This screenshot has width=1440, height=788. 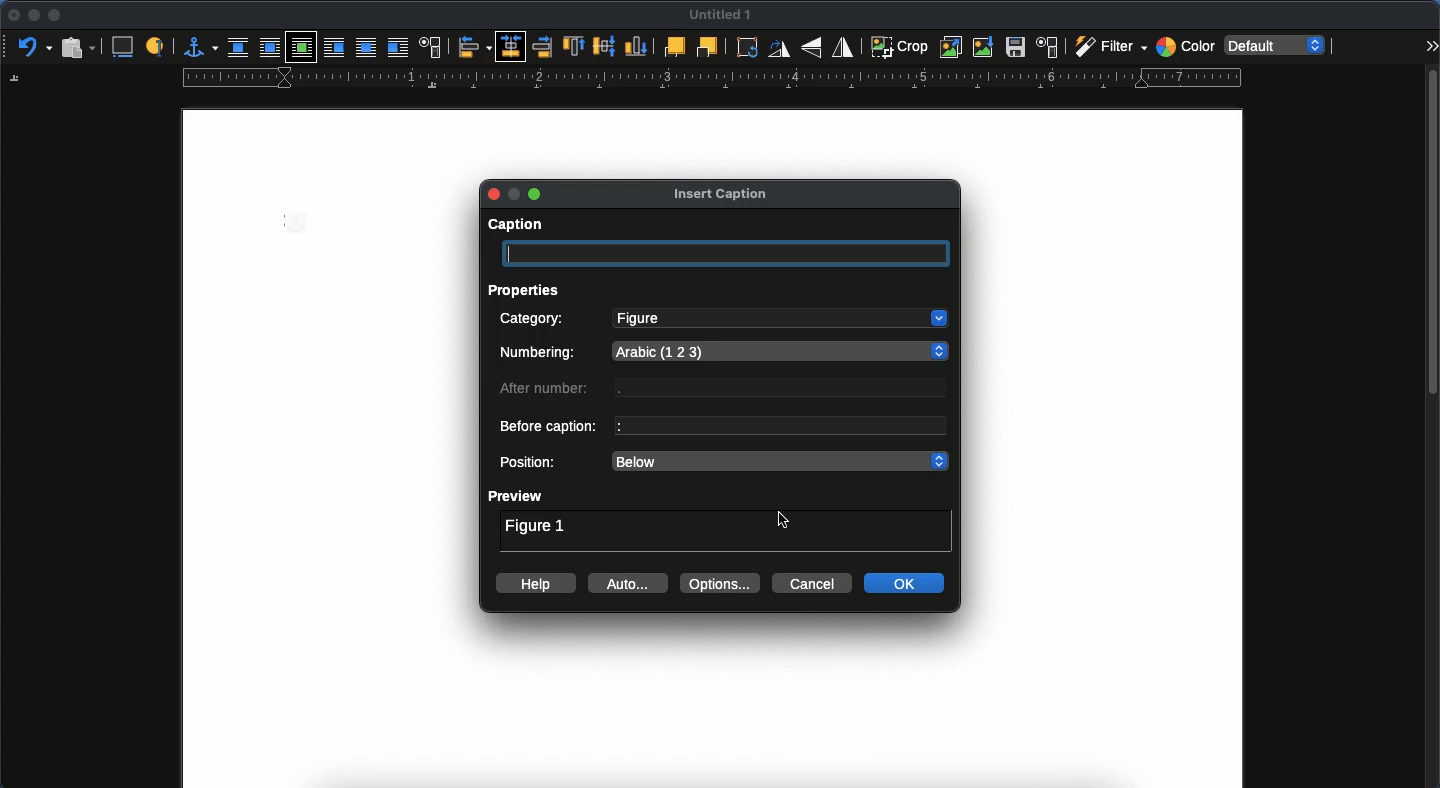 What do you see at coordinates (899, 46) in the screenshot?
I see `crop` at bounding box center [899, 46].